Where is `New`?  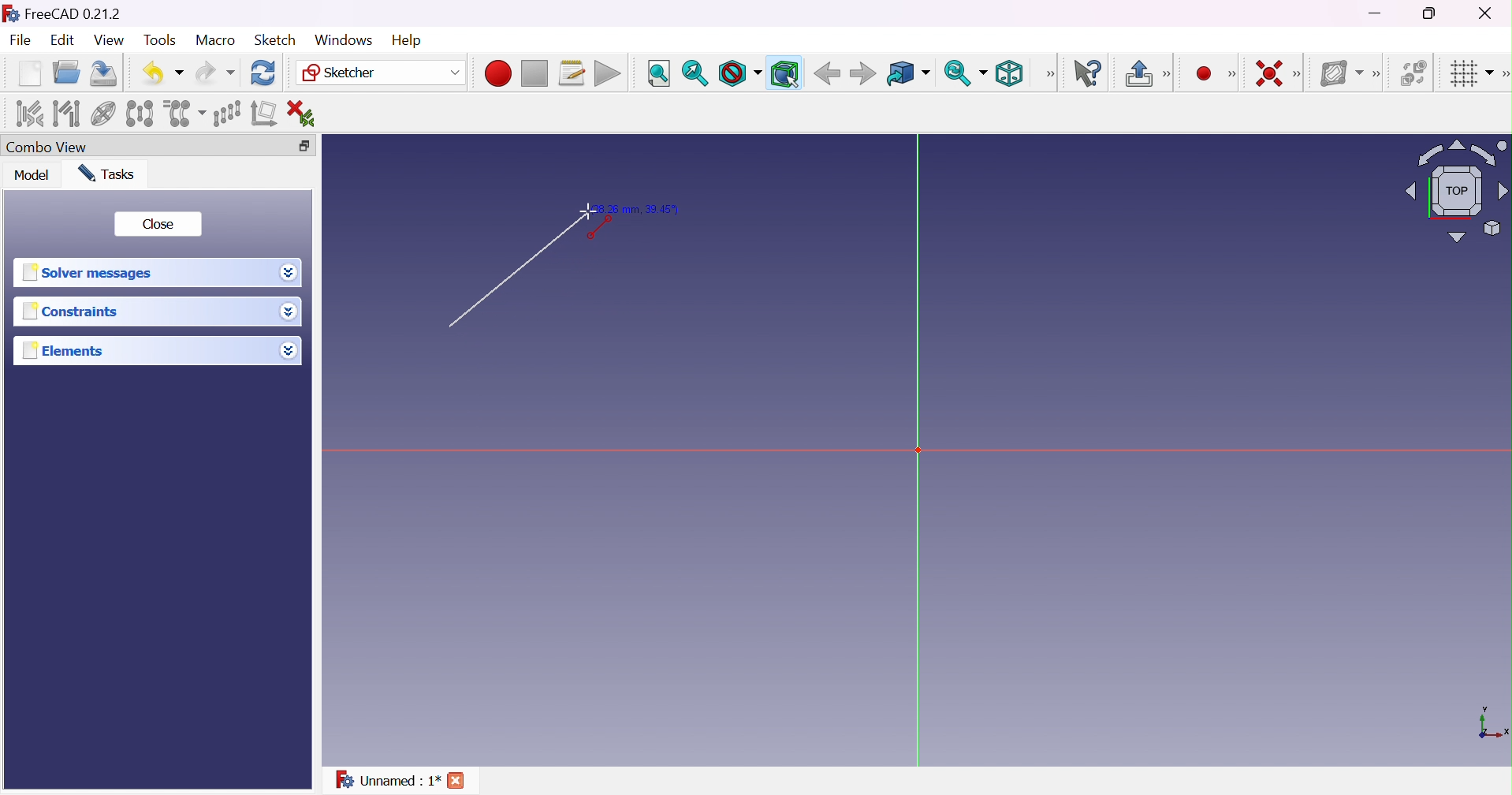
New is located at coordinates (29, 76).